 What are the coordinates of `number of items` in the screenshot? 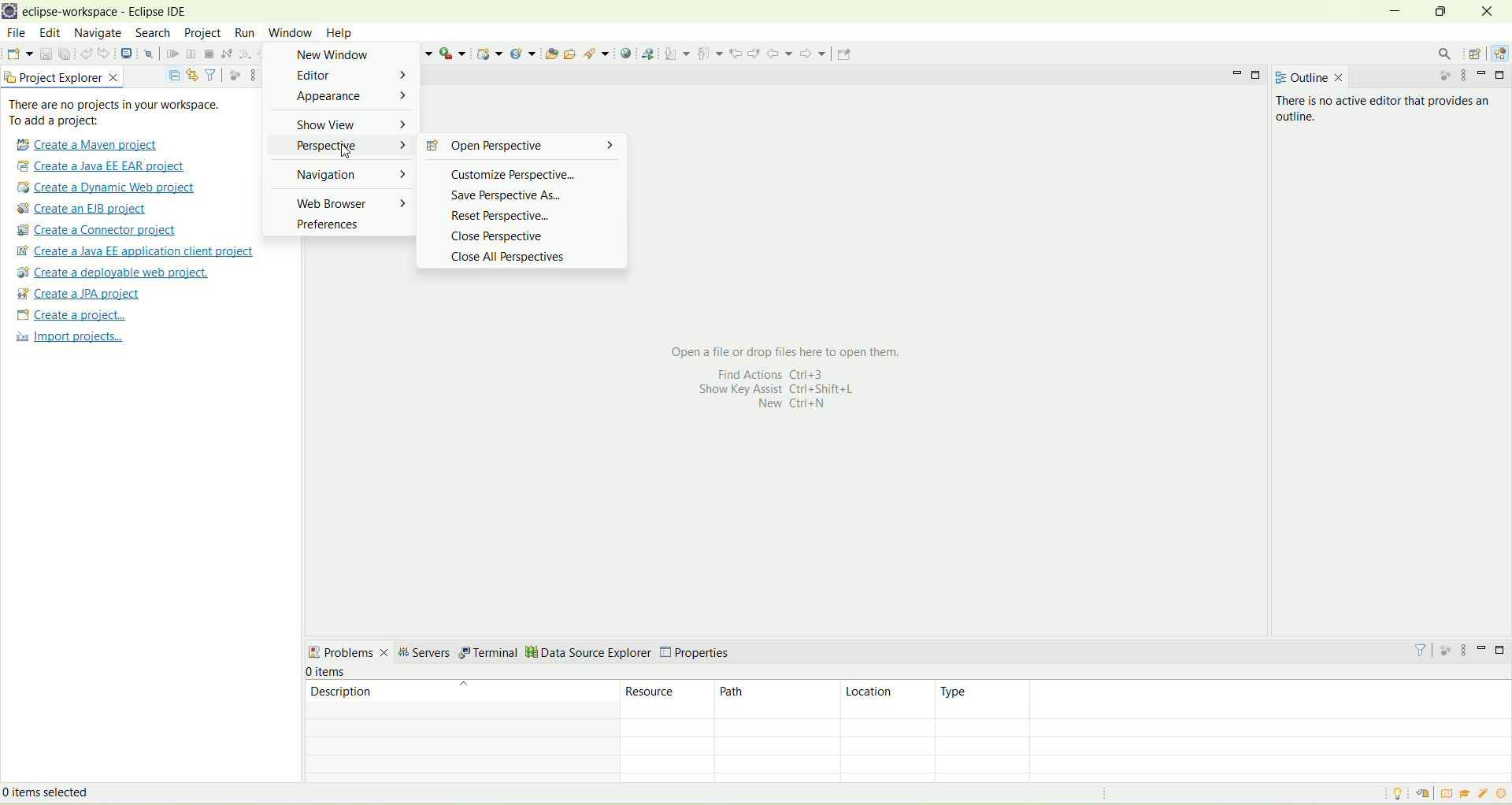 It's located at (339, 672).